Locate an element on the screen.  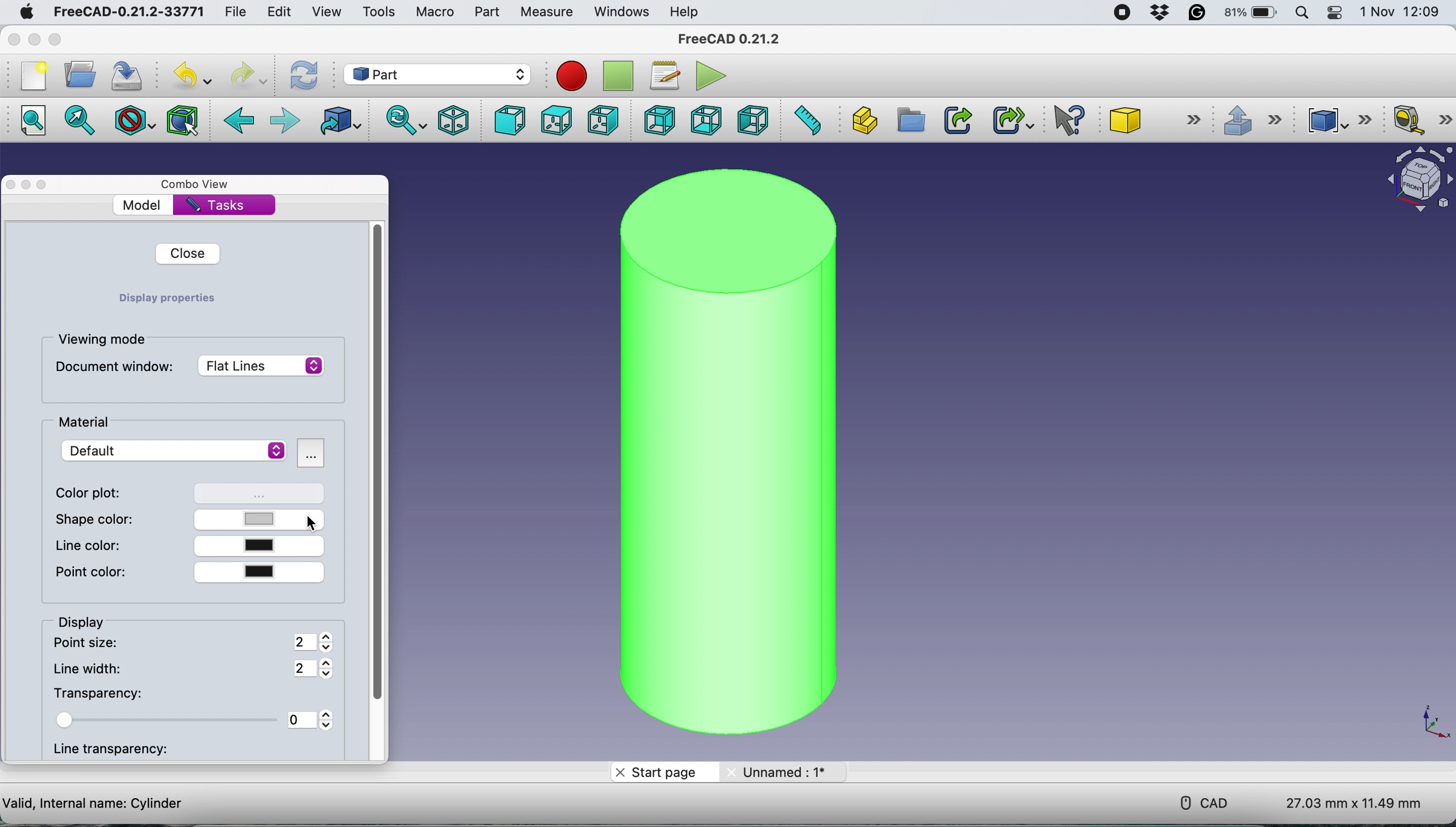
macros is located at coordinates (664, 77).